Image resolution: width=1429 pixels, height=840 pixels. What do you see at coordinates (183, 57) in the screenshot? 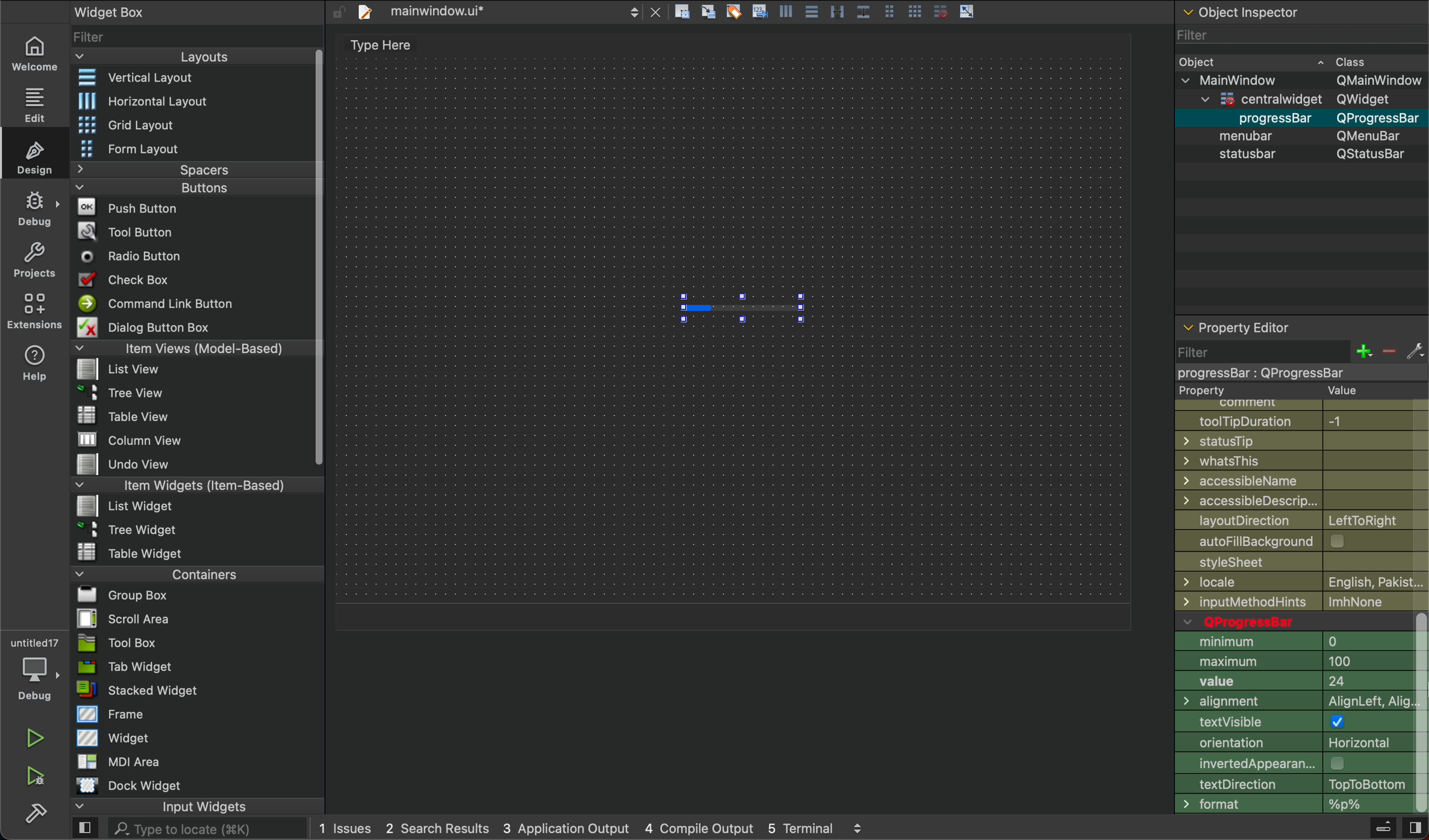
I see `Layout` at bounding box center [183, 57].